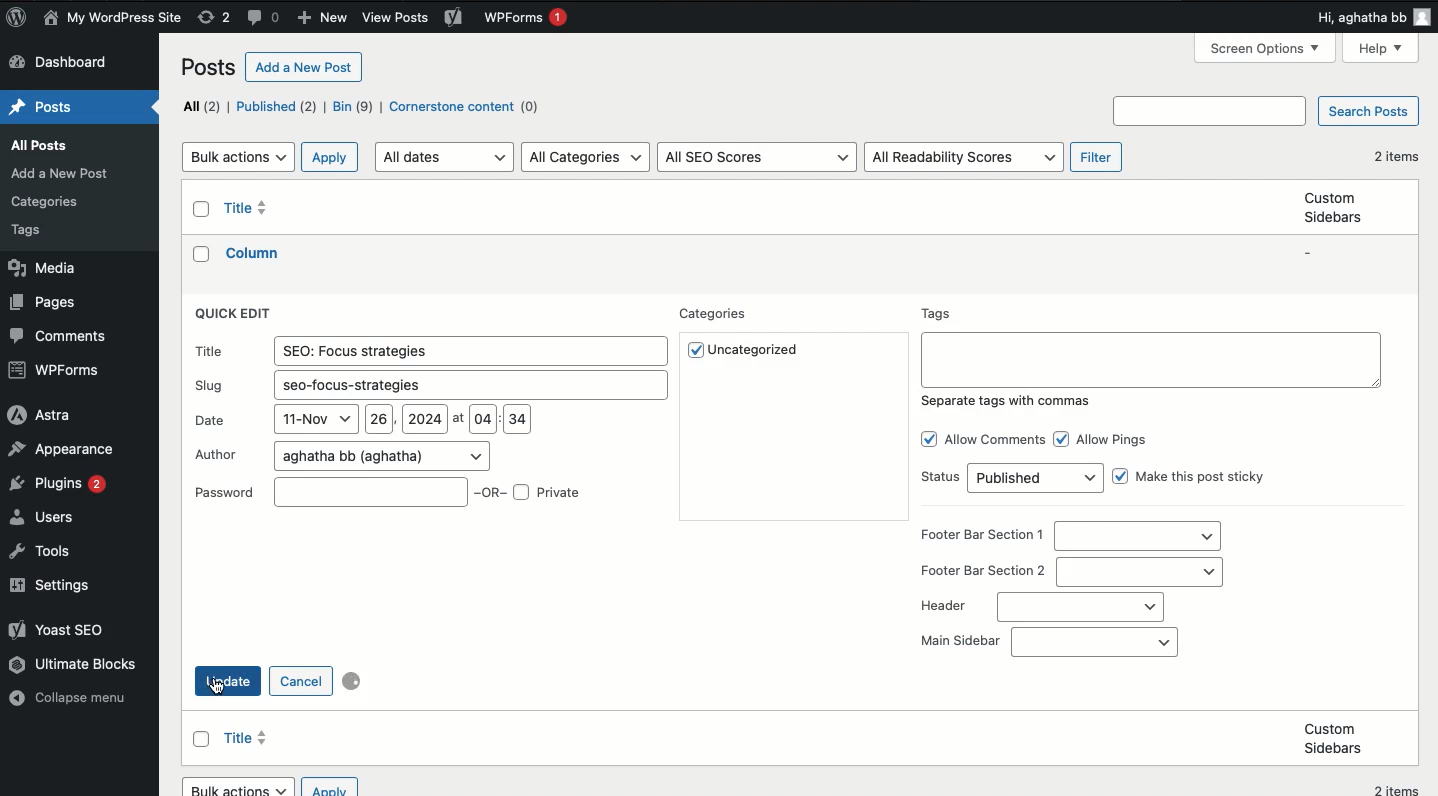 The width and height of the screenshot is (1438, 796). I want to click on Title, so click(471, 349).